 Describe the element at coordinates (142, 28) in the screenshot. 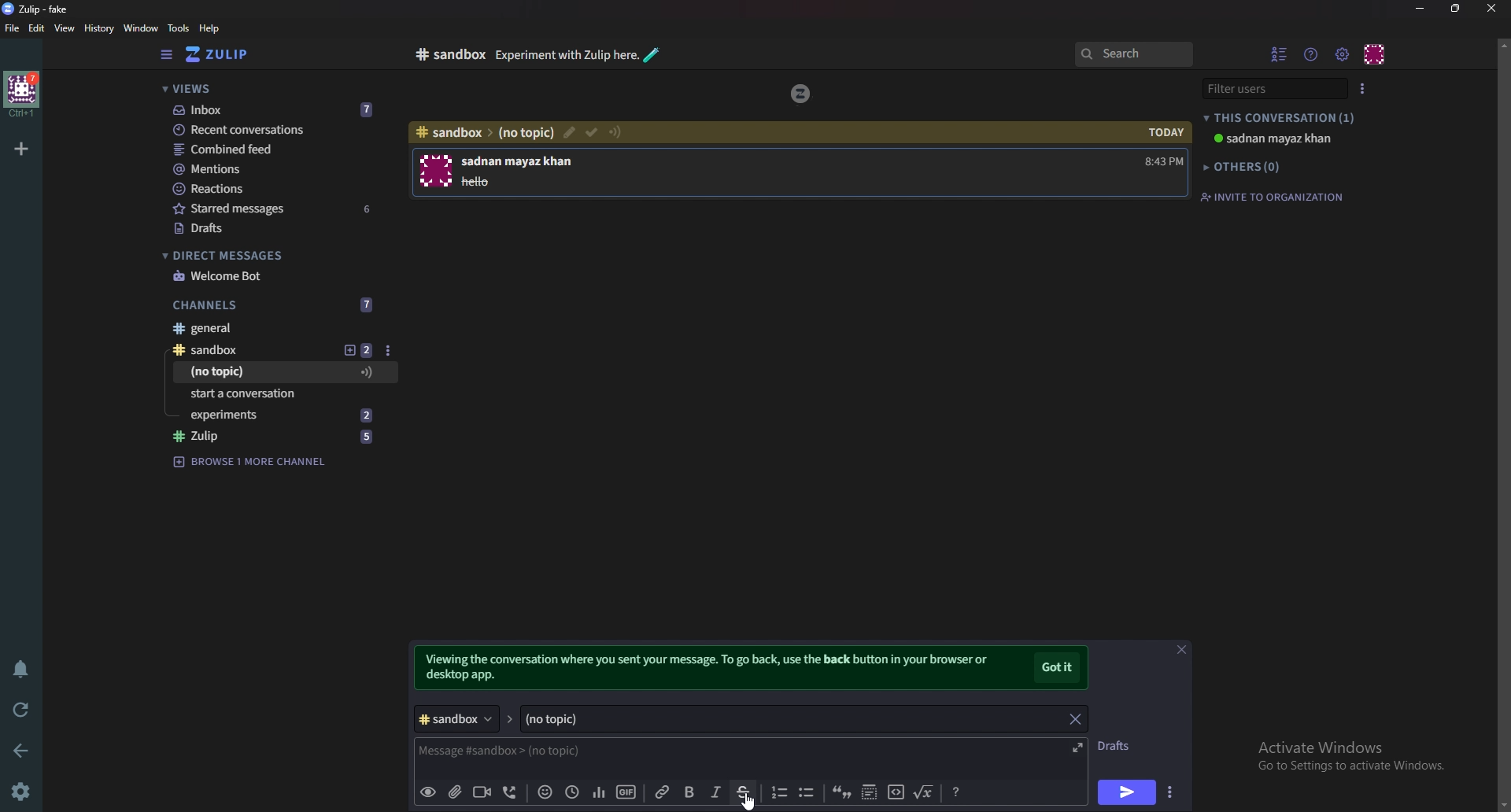

I see `Window` at that location.